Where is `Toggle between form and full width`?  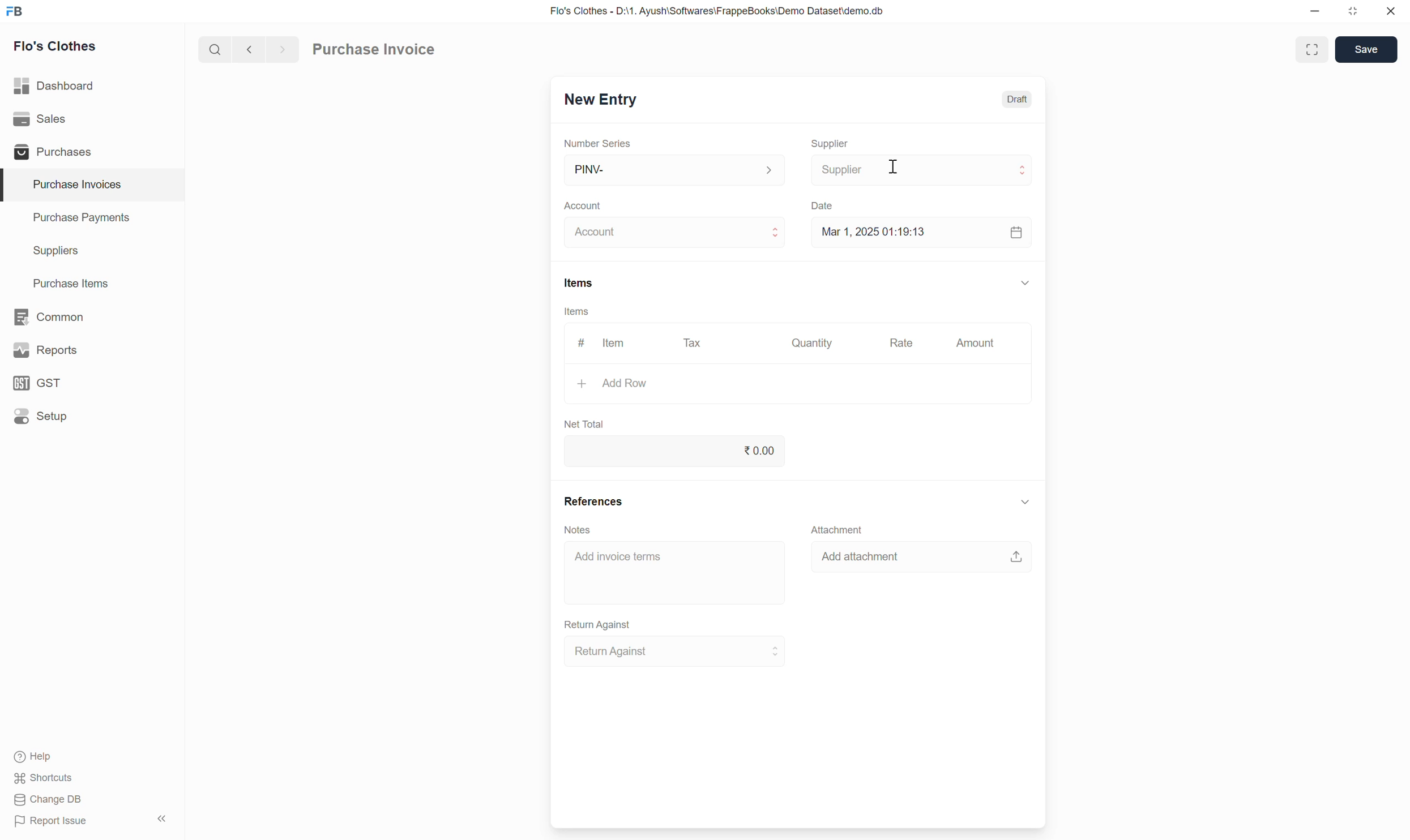
Toggle between form and full width is located at coordinates (1311, 49).